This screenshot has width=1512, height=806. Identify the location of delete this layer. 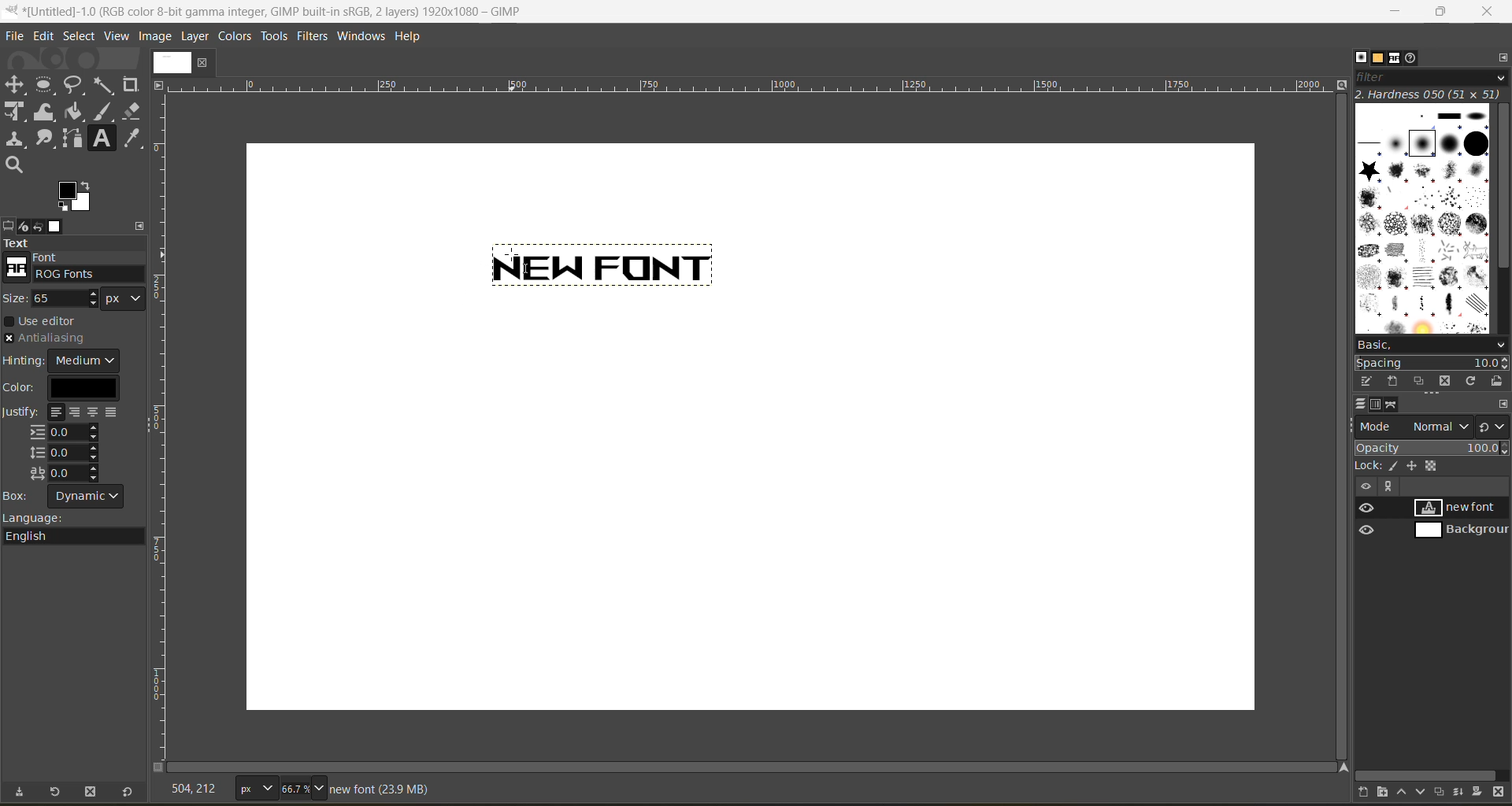
(1499, 795).